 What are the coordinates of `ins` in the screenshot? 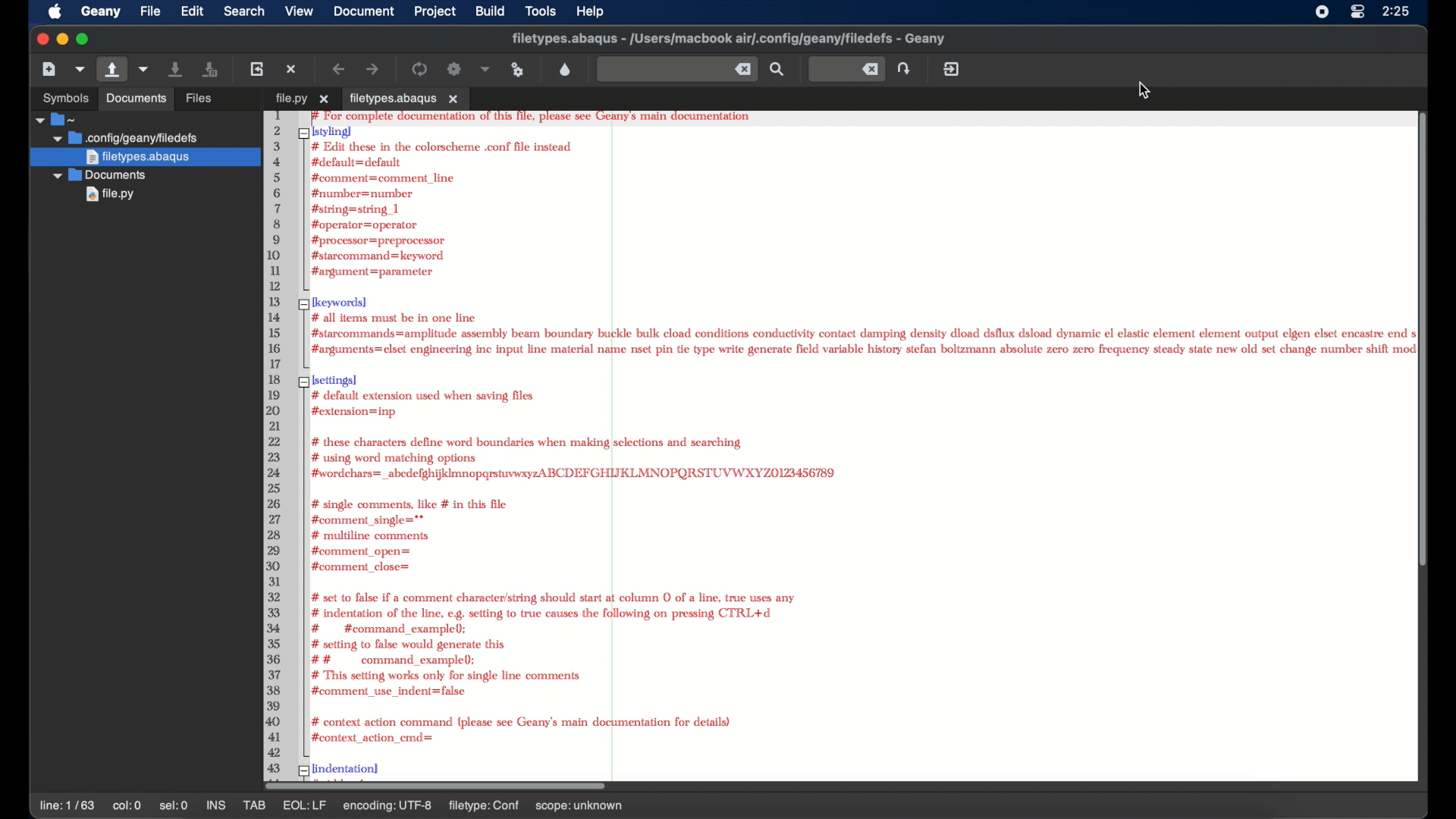 It's located at (217, 805).